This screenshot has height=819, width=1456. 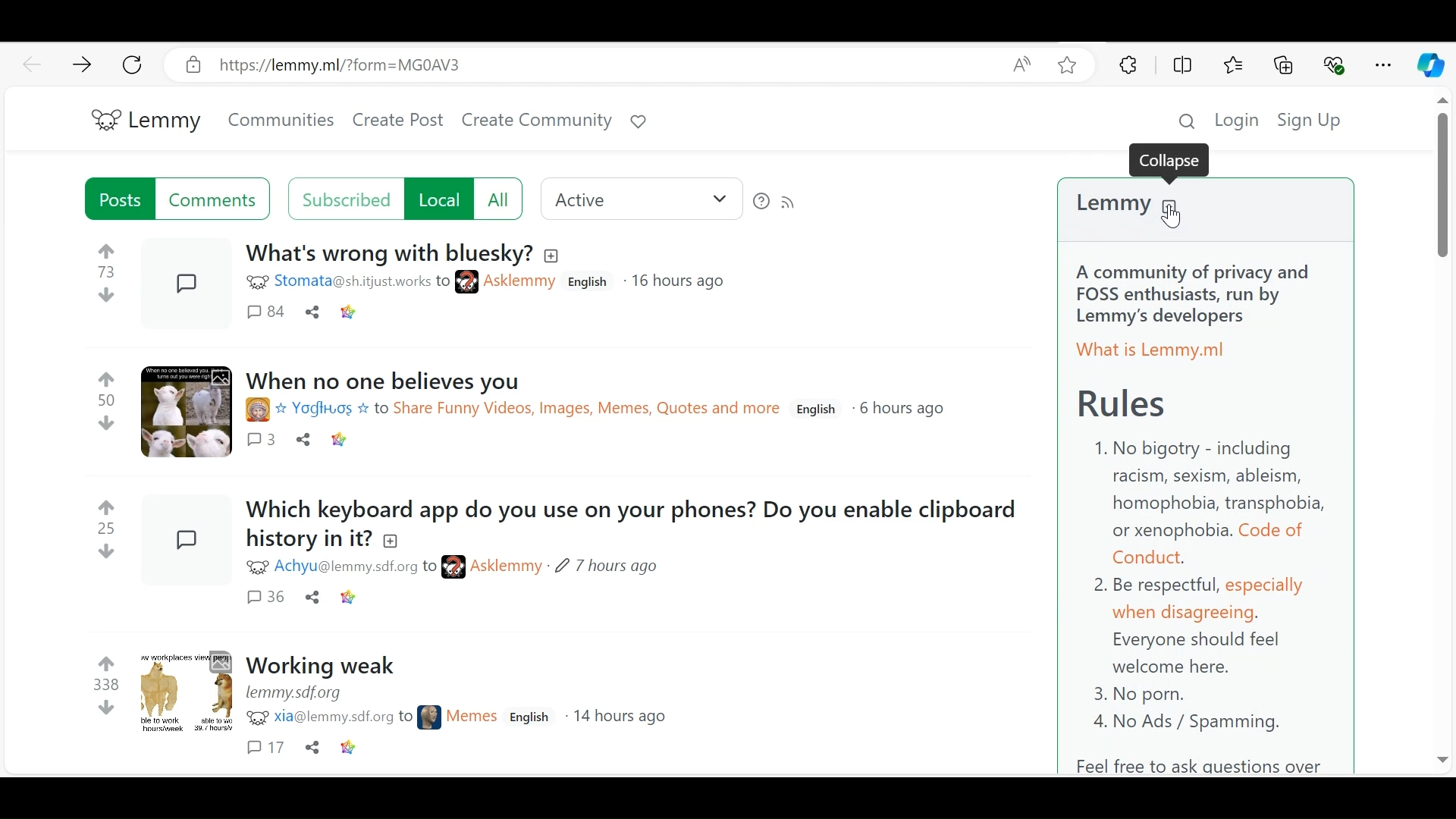 What do you see at coordinates (133, 65) in the screenshot?
I see `Refresh` at bounding box center [133, 65].